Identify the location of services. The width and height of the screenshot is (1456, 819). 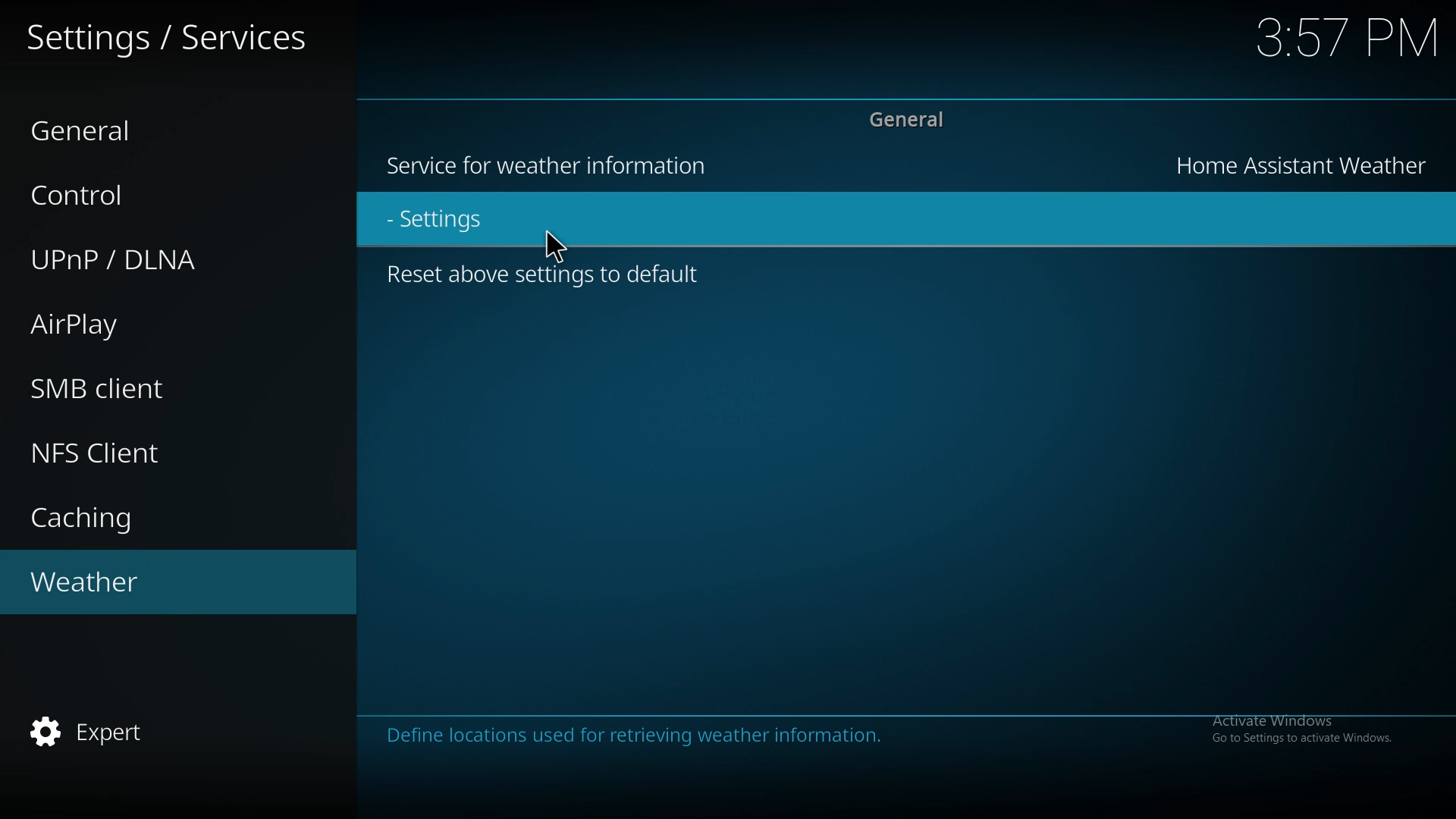
(170, 35).